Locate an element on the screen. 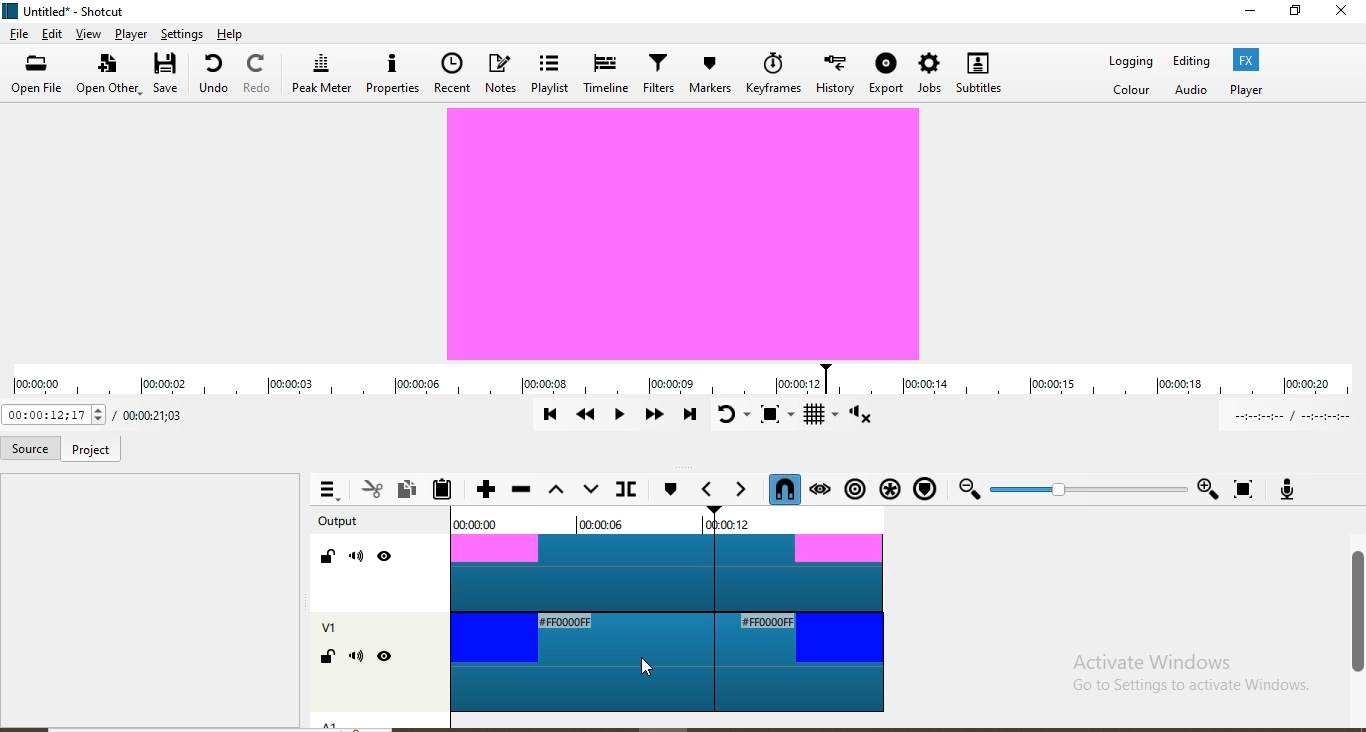 This screenshot has height=732, width=1366. Toggle play or pause is located at coordinates (616, 413).